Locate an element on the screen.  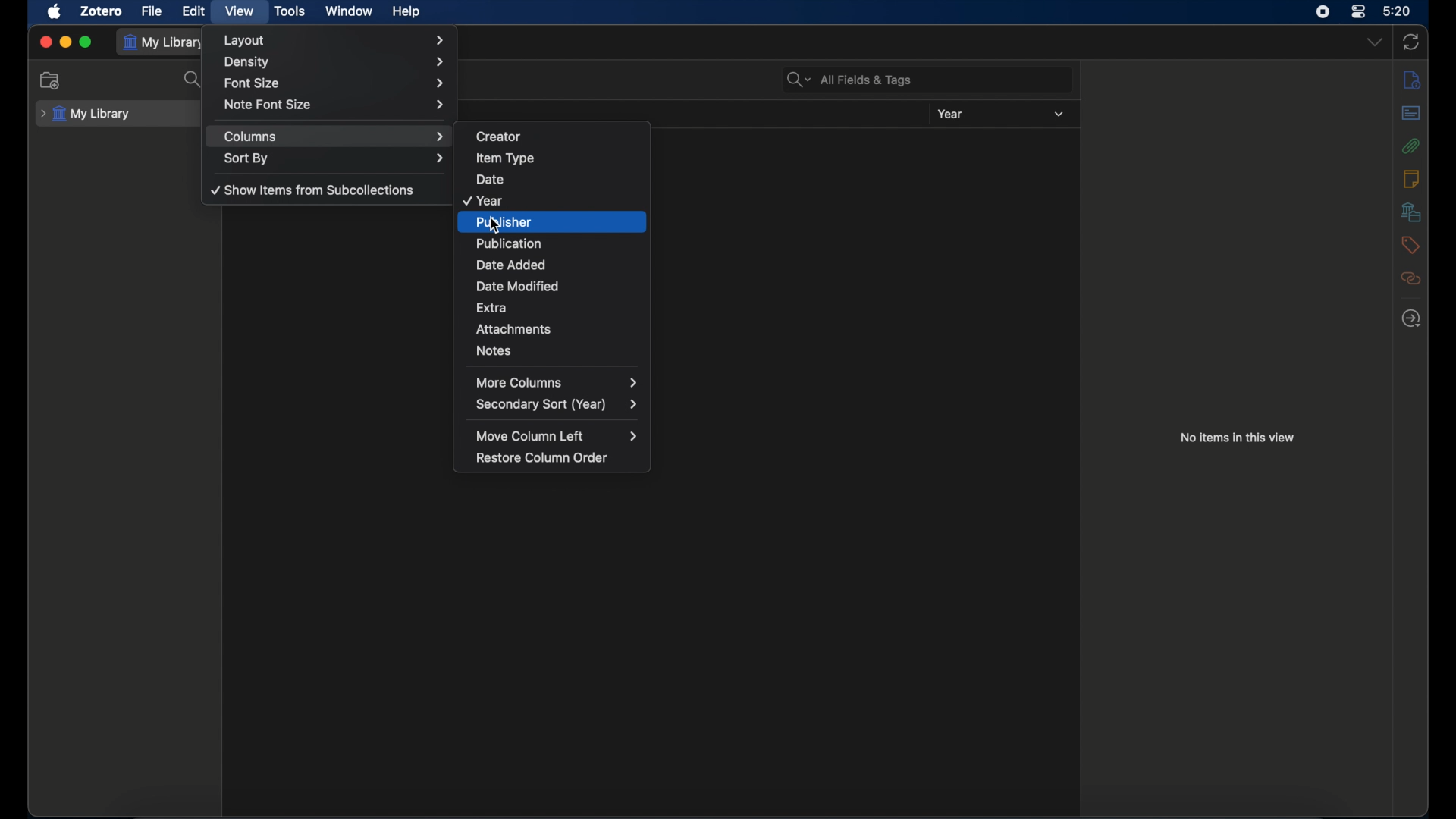
file is located at coordinates (152, 11).